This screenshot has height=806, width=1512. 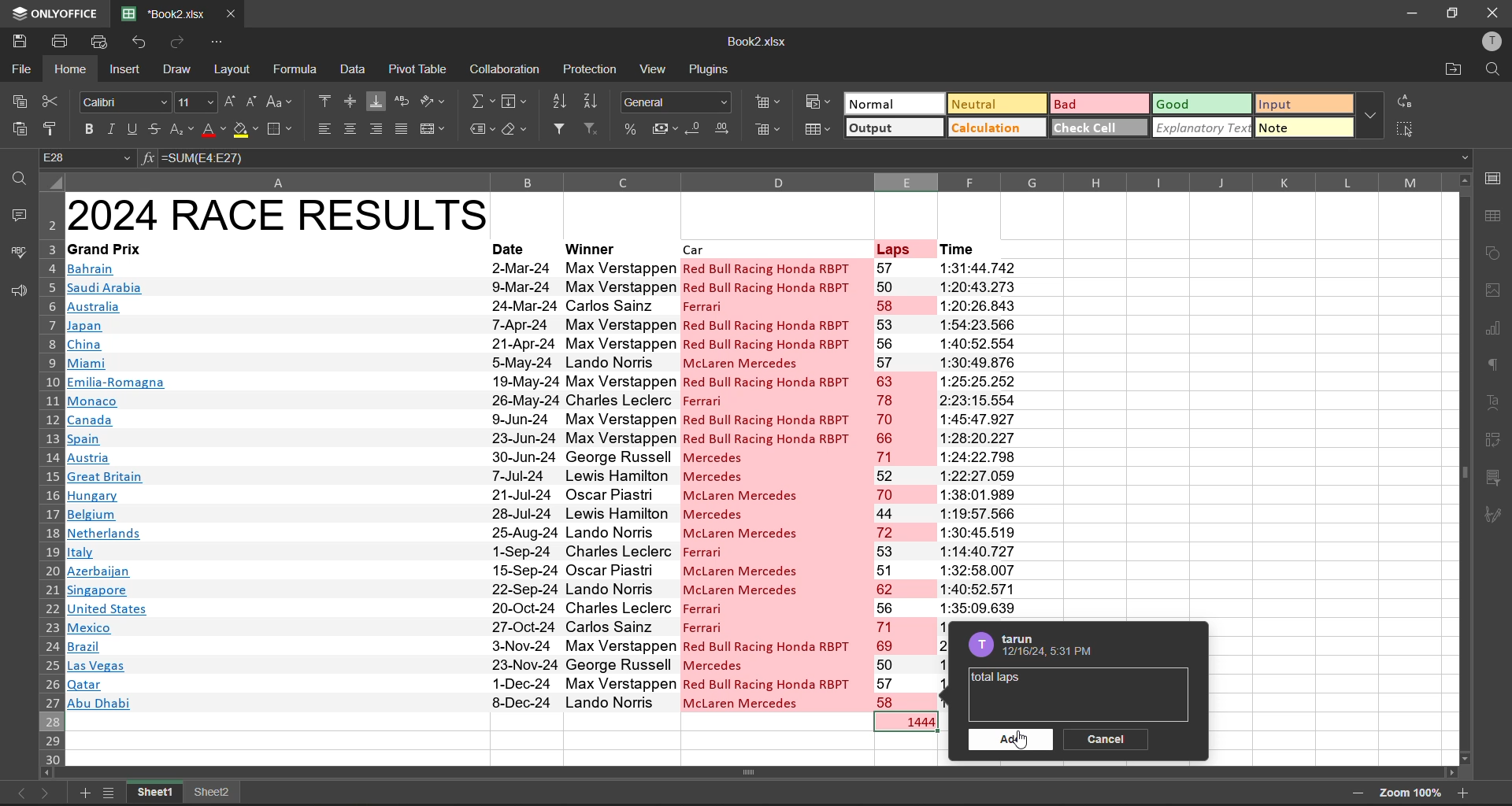 I want to click on time, so click(x=961, y=248).